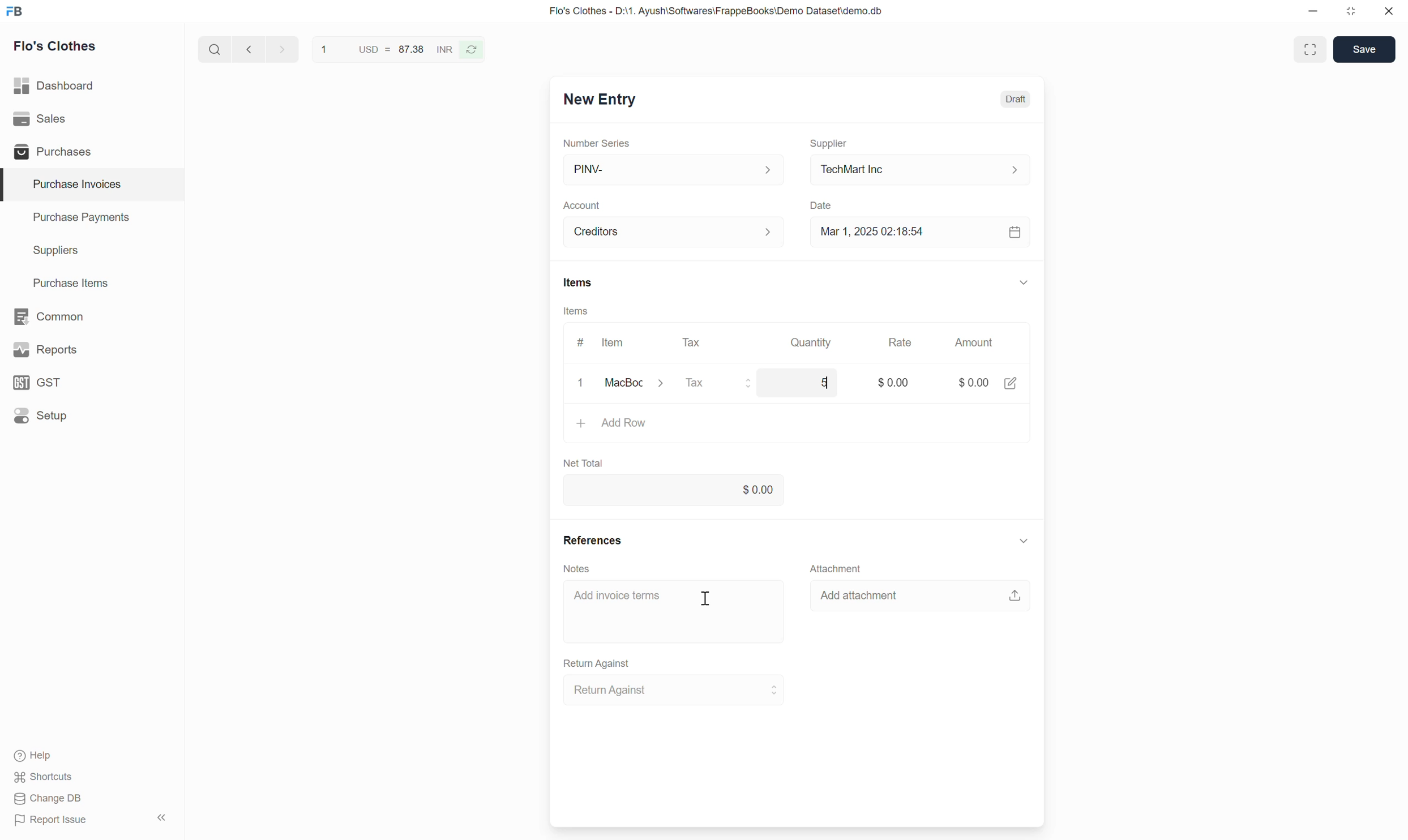 The image size is (1408, 840). What do you see at coordinates (716, 10) in the screenshot?
I see `Flo's Clothes - D:\1. Ayush\Softwares\FrappeBooks\Demo Dataset\demo.db` at bounding box center [716, 10].